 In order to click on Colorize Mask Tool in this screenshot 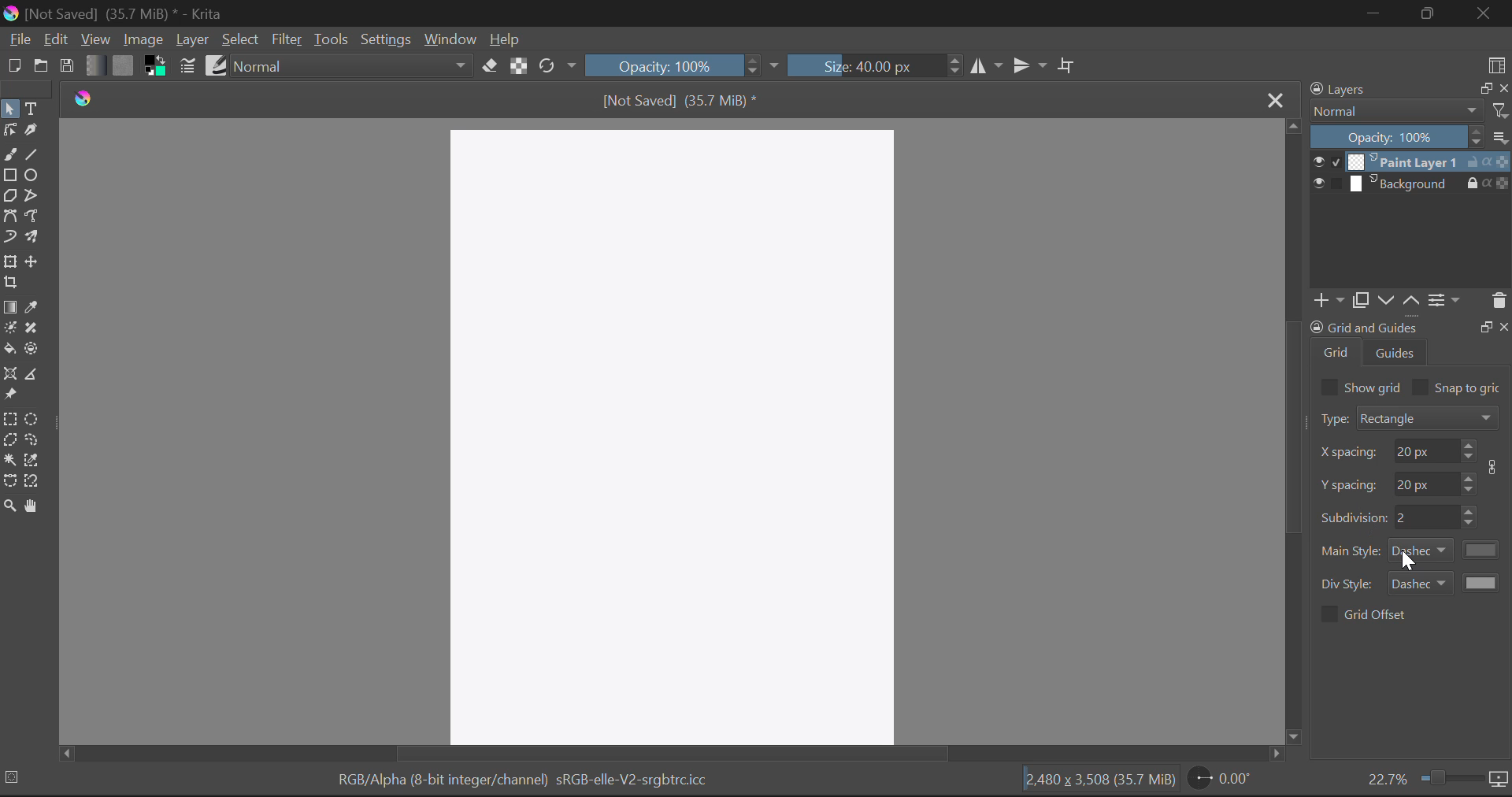, I will do `click(9, 331)`.